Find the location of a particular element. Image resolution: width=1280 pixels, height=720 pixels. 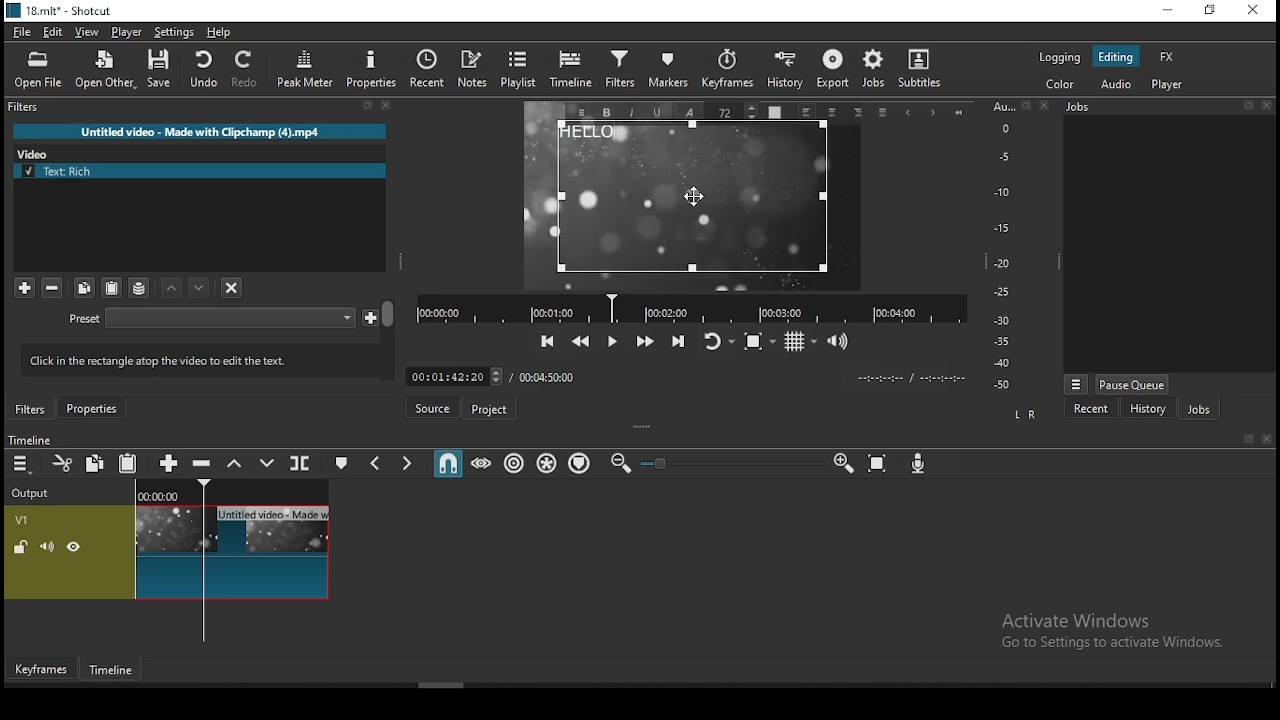

append is located at coordinates (171, 462).